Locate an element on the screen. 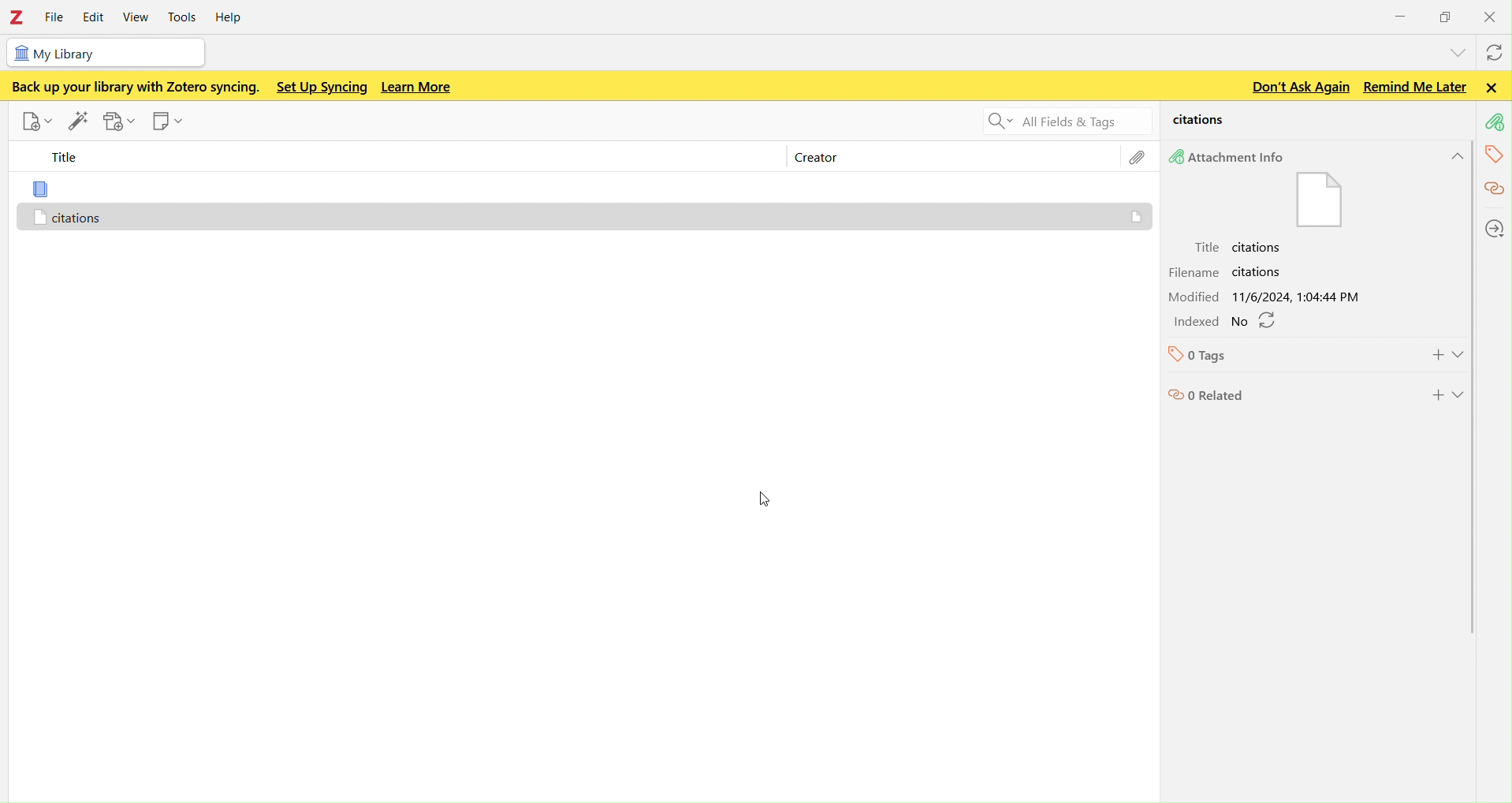 The height and width of the screenshot is (803, 1512). file is located at coordinates (42, 189).